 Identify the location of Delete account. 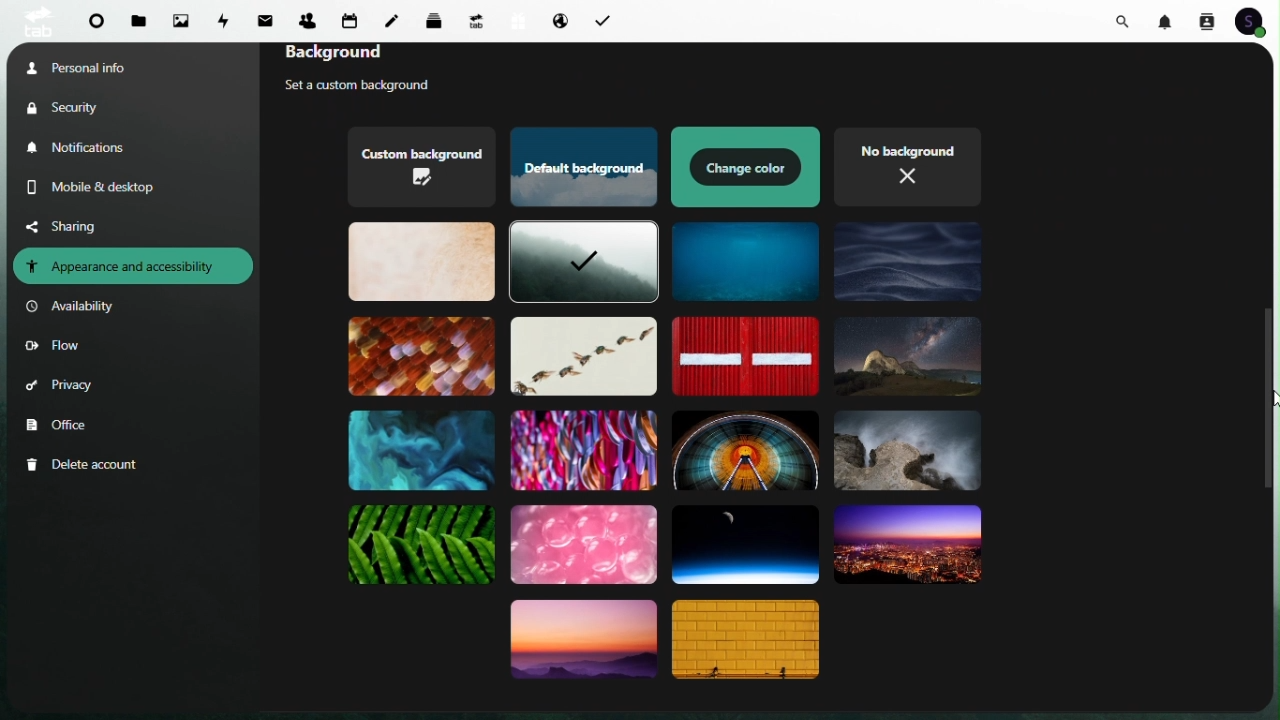
(86, 465).